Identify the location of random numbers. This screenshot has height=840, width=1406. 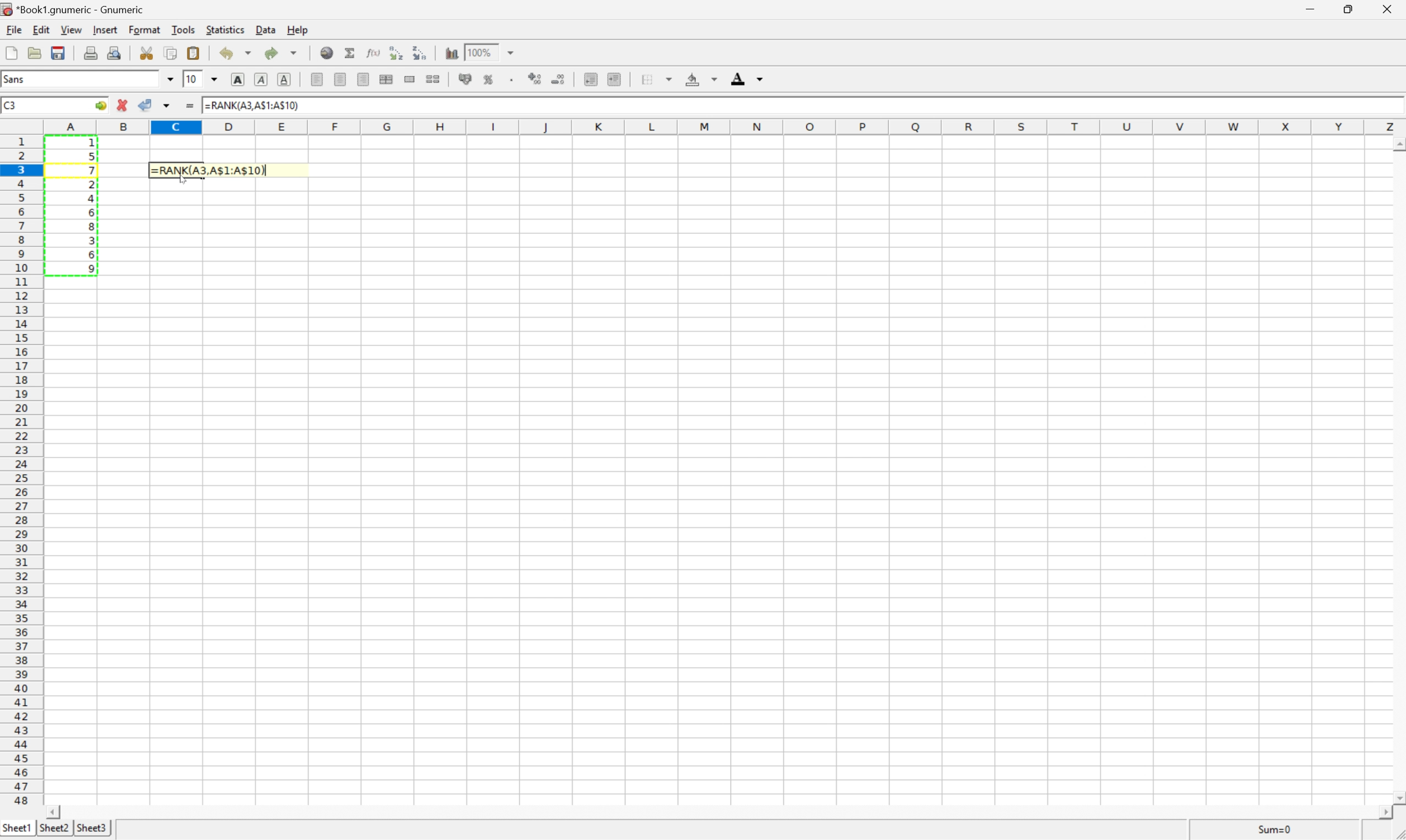
(91, 208).